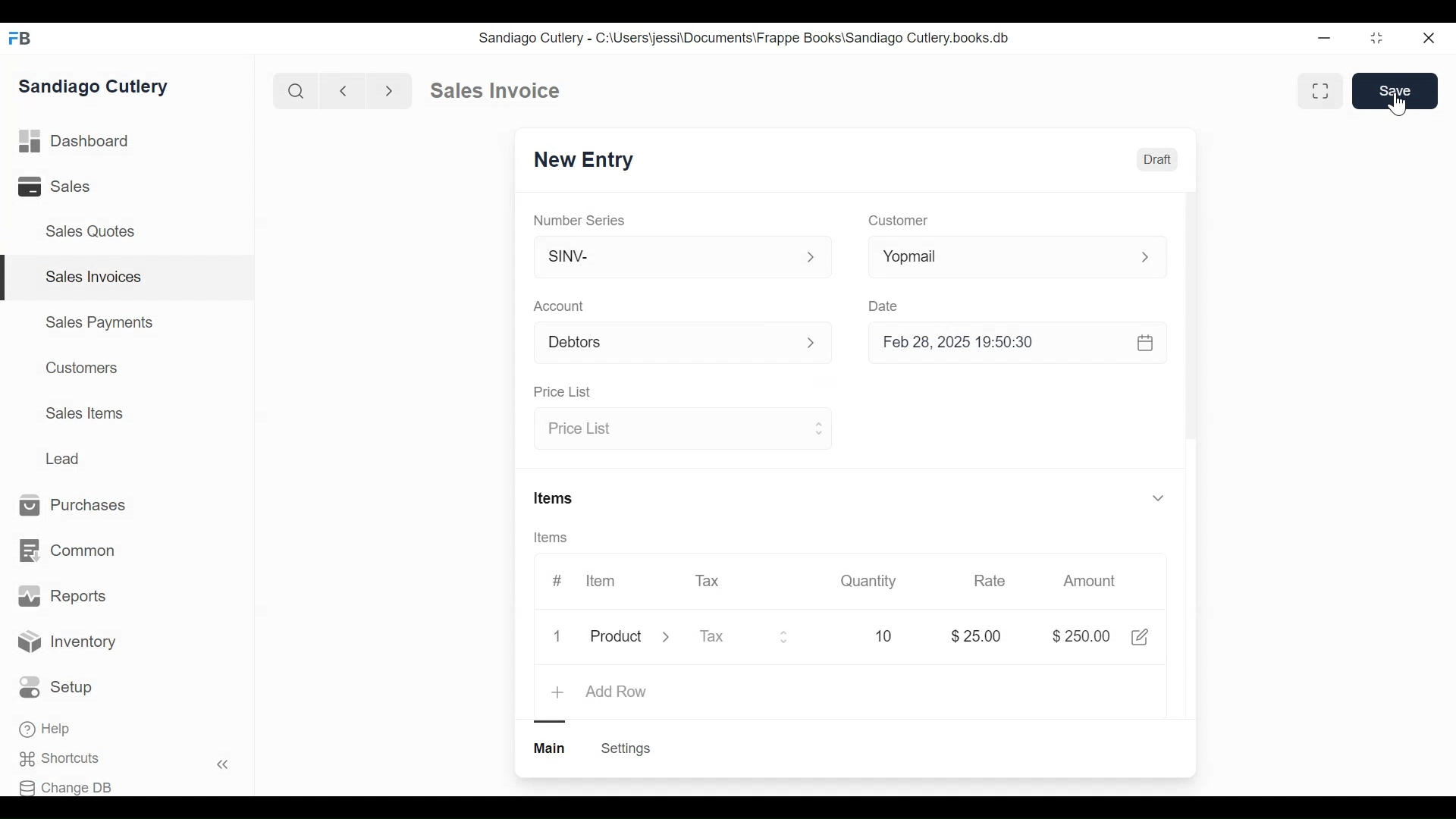 The width and height of the screenshot is (1456, 819). What do you see at coordinates (684, 344) in the screenshot?
I see `Account p` at bounding box center [684, 344].